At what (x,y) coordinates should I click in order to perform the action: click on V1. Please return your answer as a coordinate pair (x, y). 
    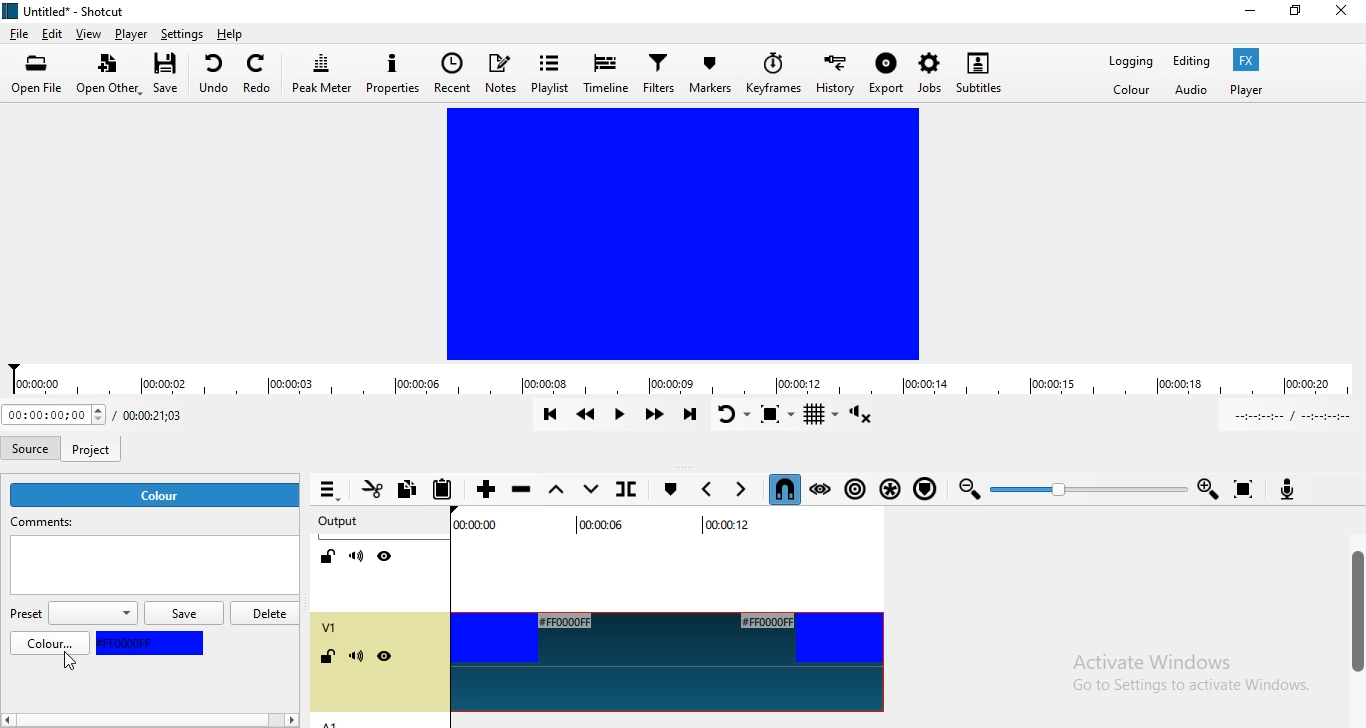
    Looking at the image, I should click on (329, 627).